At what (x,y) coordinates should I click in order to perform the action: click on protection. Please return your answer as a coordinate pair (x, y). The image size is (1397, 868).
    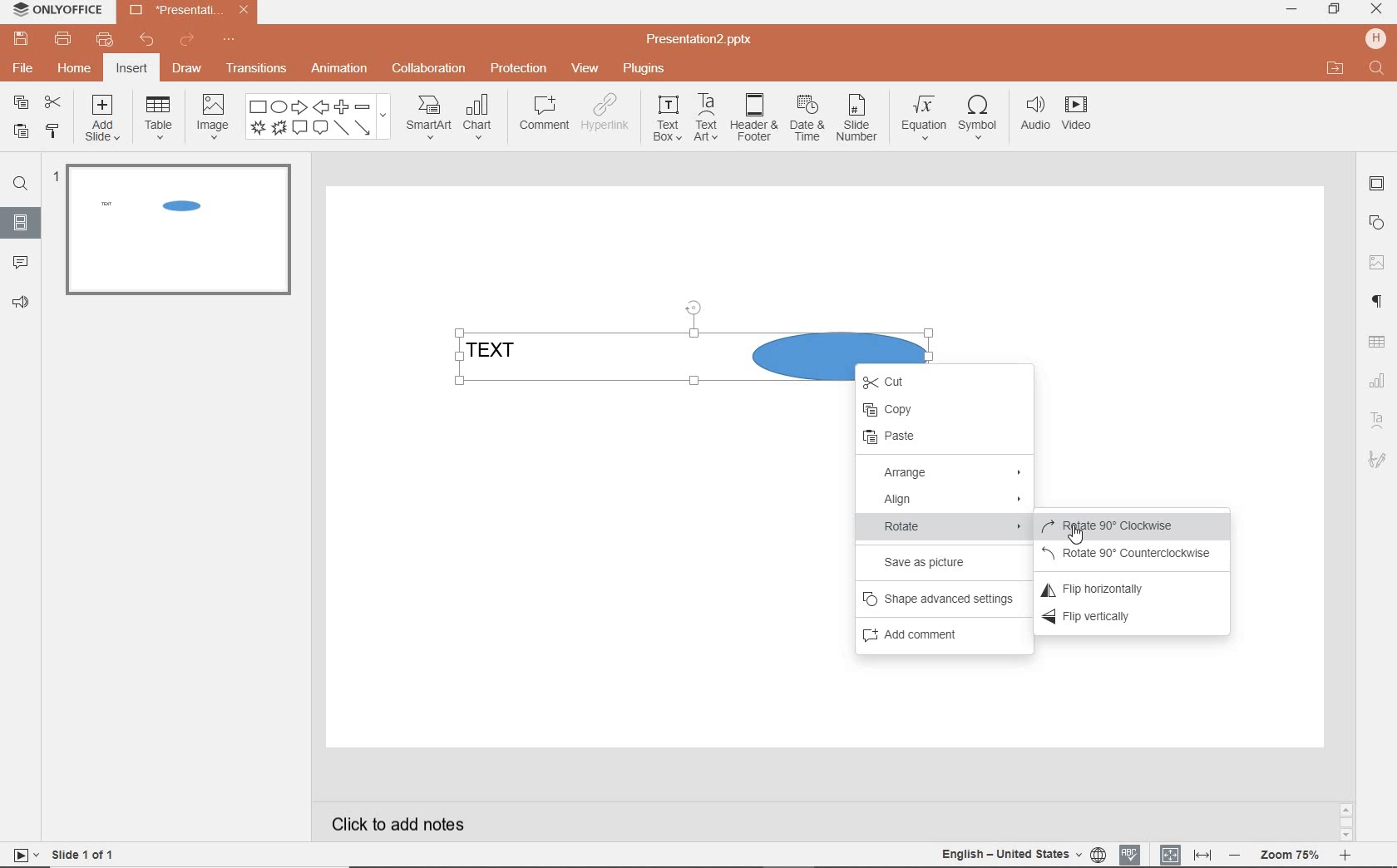
    Looking at the image, I should click on (518, 68).